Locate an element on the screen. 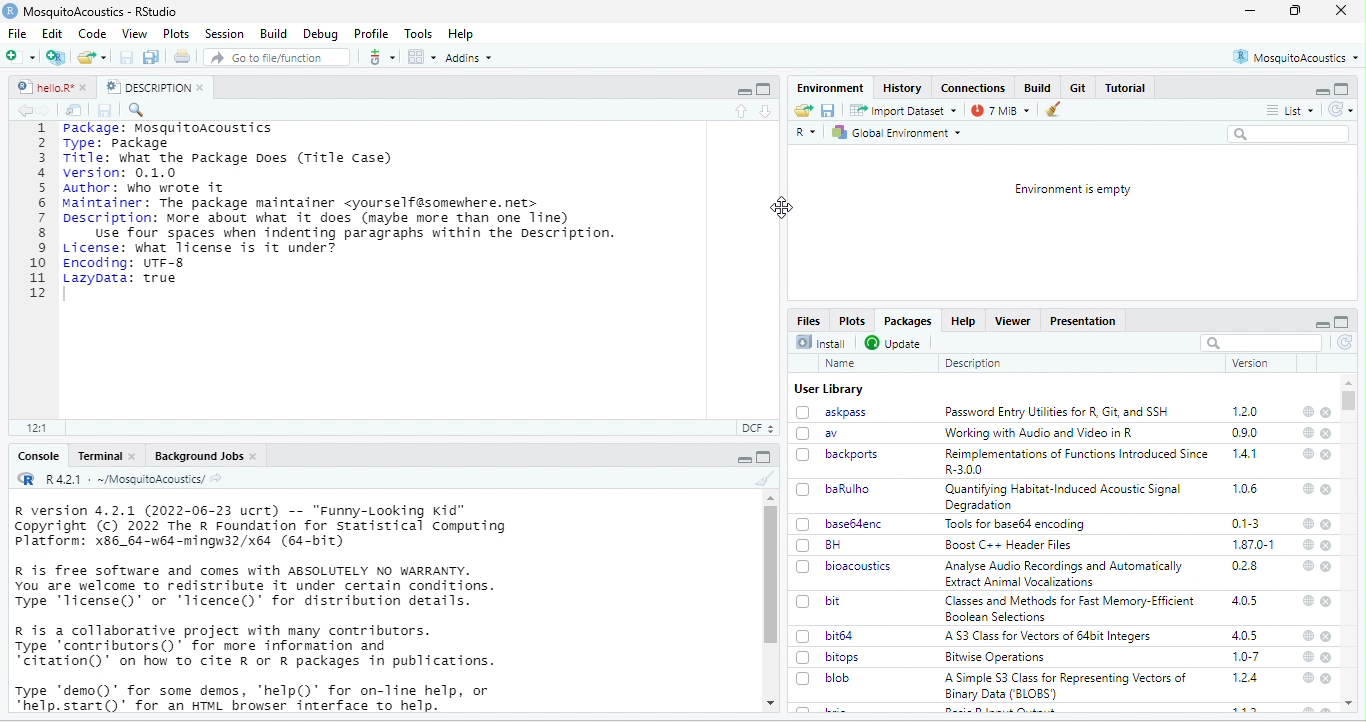 The height and width of the screenshot is (722, 1366). BH is located at coordinates (820, 545).